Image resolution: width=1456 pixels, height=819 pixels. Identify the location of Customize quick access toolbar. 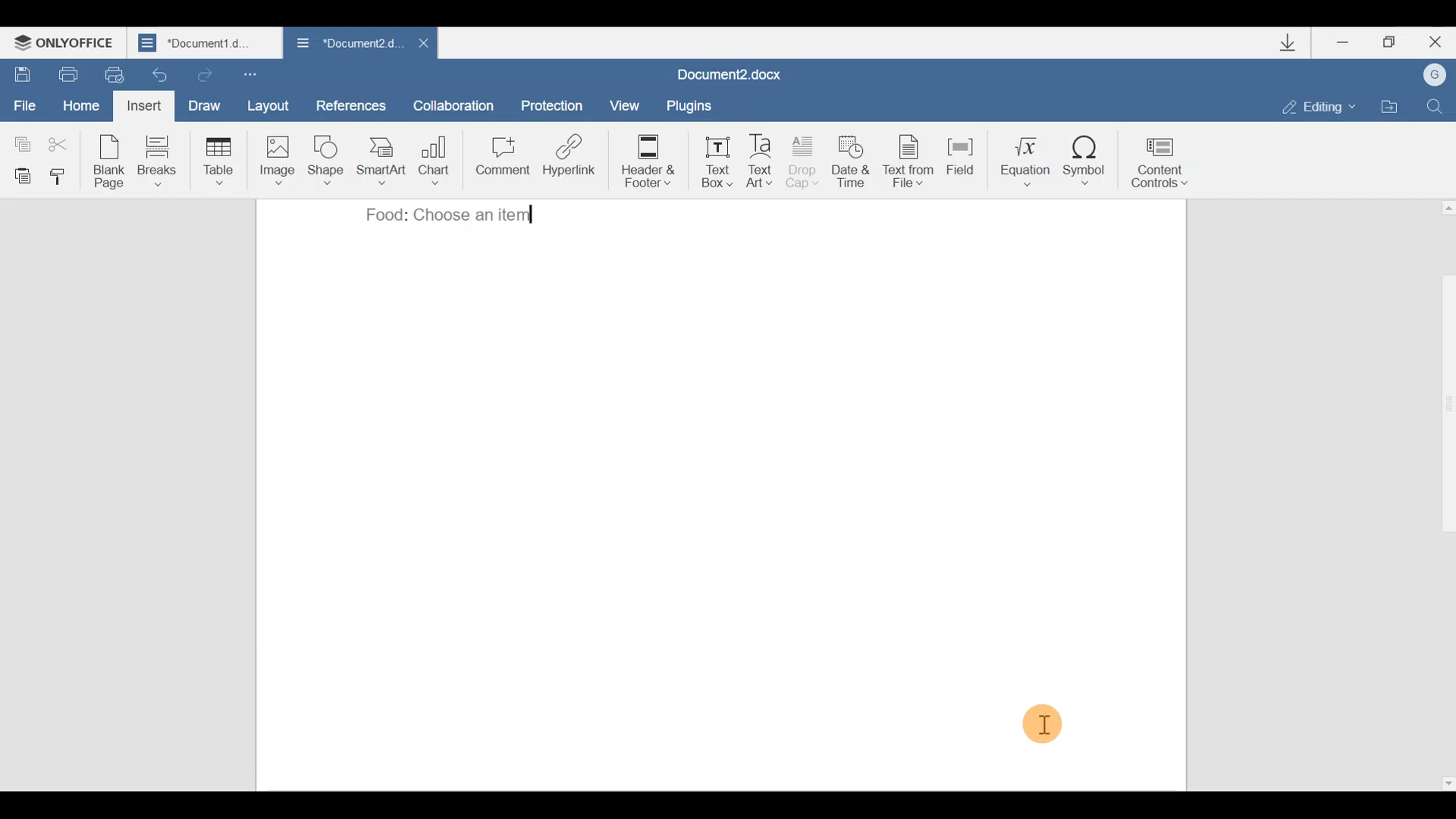
(262, 74).